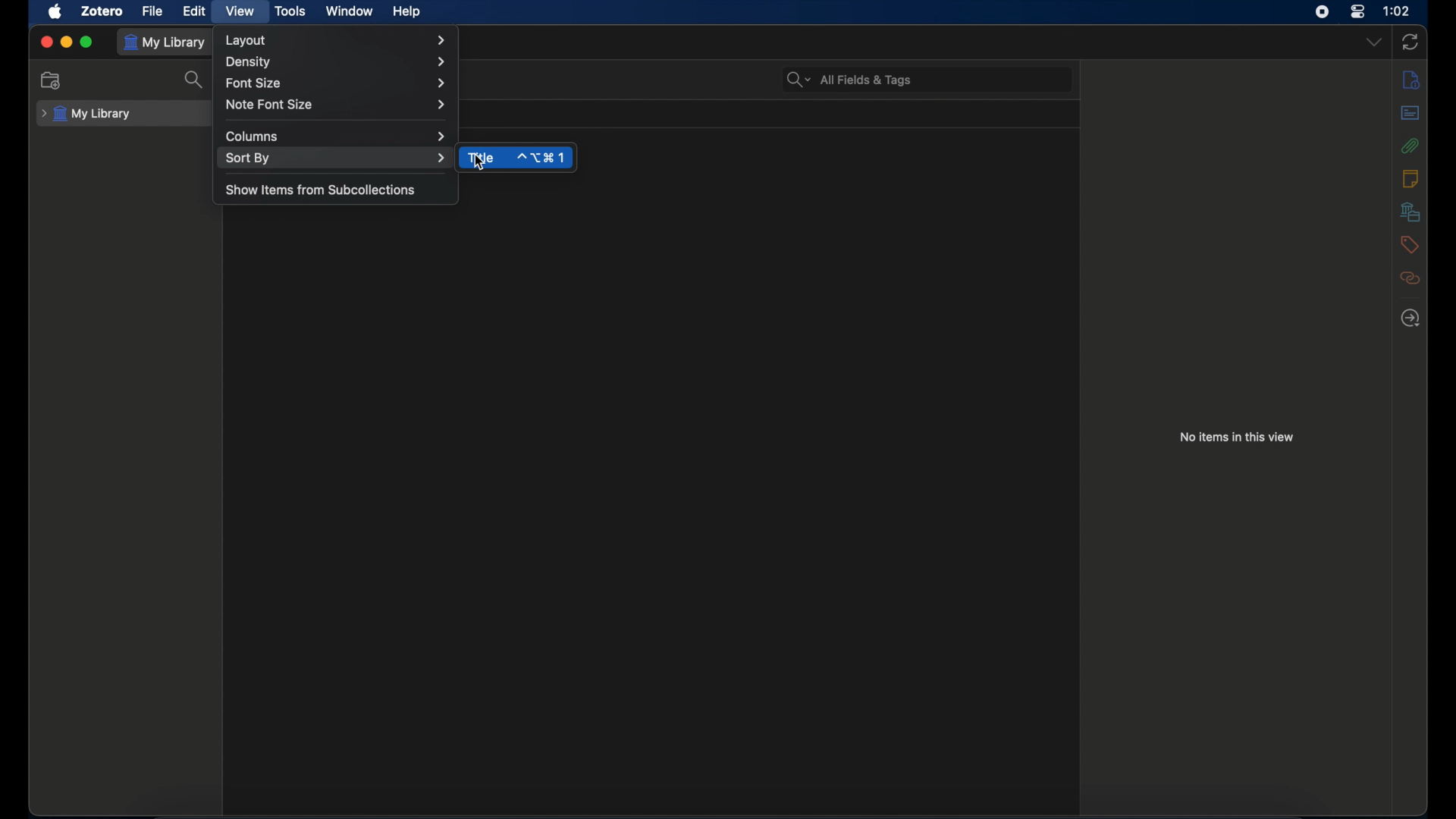 Image resolution: width=1456 pixels, height=819 pixels. Describe the element at coordinates (1407, 244) in the screenshot. I see `tags` at that location.